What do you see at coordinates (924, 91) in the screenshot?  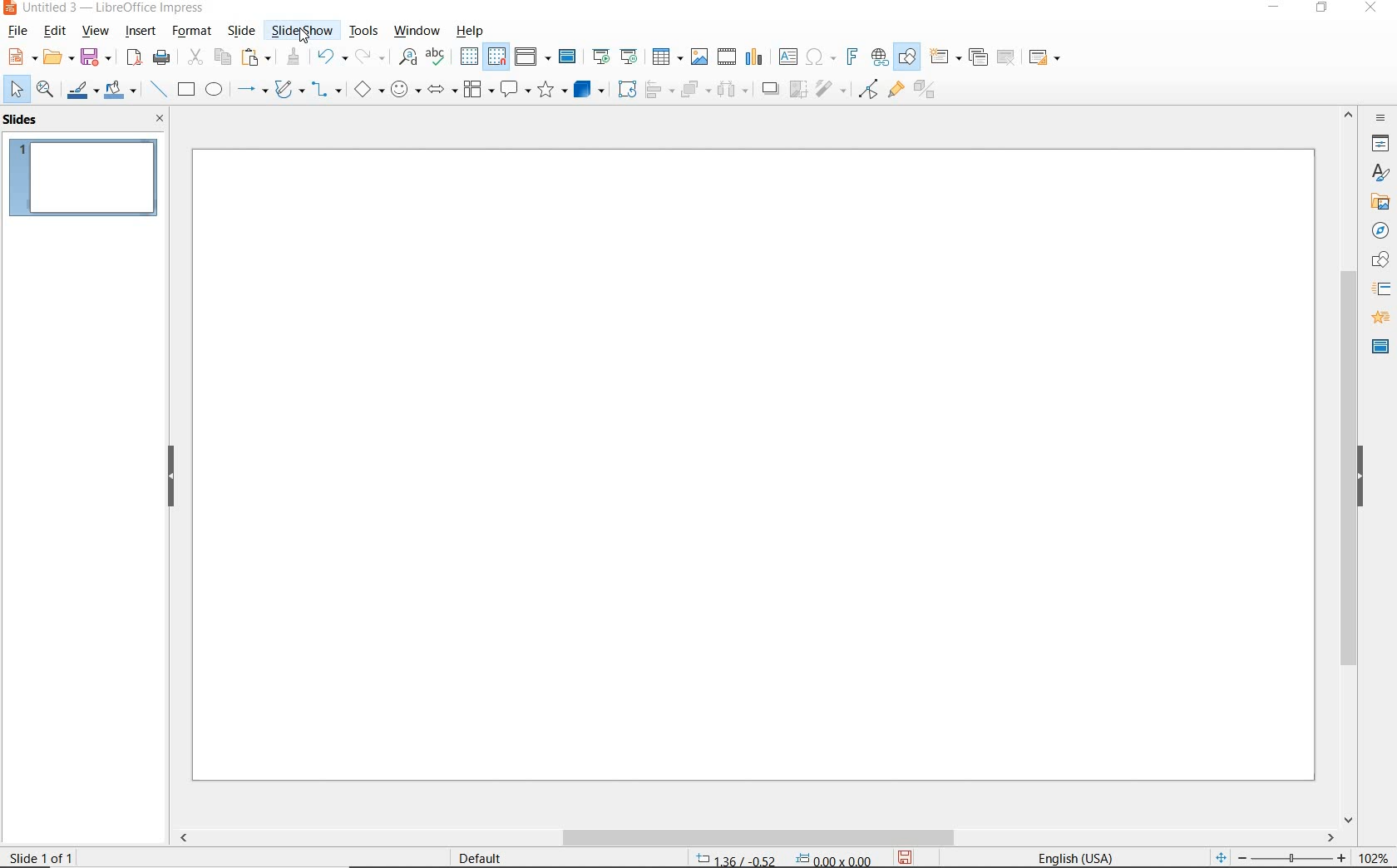 I see `TOGGLE EXTRUSION` at bounding box center [924, 91].